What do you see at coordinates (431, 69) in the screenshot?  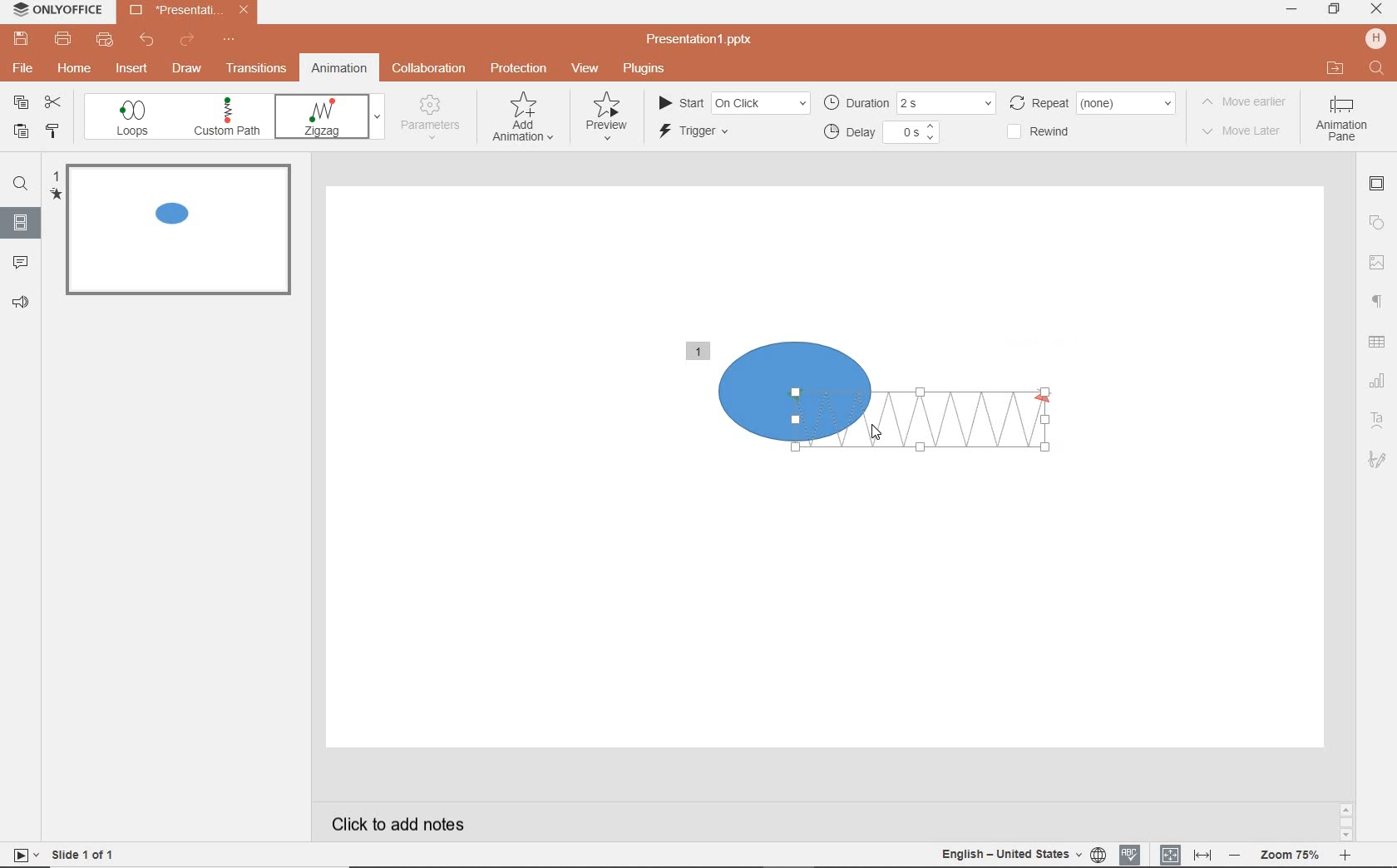 I see `collaboration` at bounding box center [431, 69].